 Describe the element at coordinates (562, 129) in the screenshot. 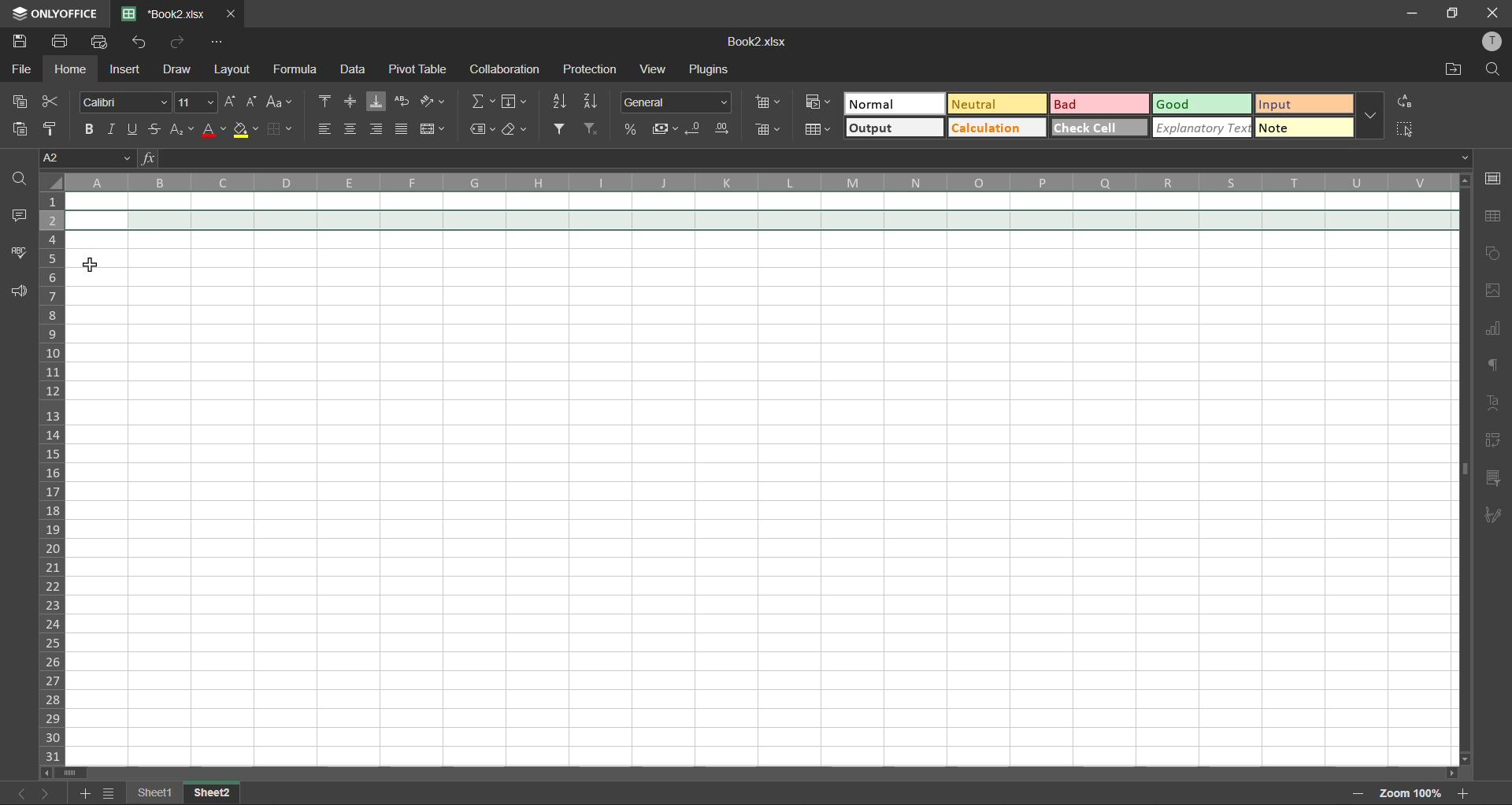

I see `filter` at that location.